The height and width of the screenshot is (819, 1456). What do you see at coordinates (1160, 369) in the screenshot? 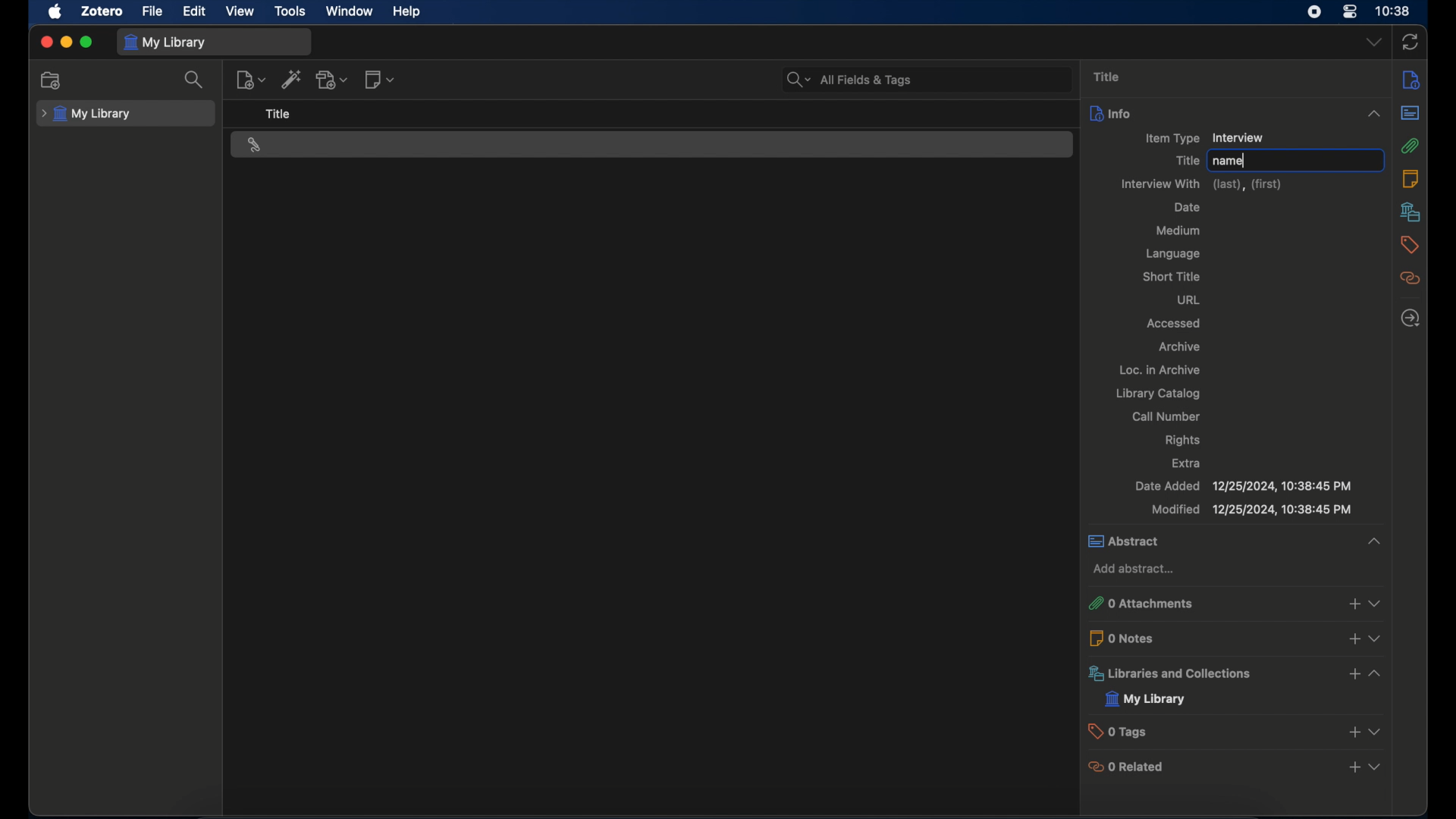
I see `loc. in  archive` at bounding box center [1160, 369].